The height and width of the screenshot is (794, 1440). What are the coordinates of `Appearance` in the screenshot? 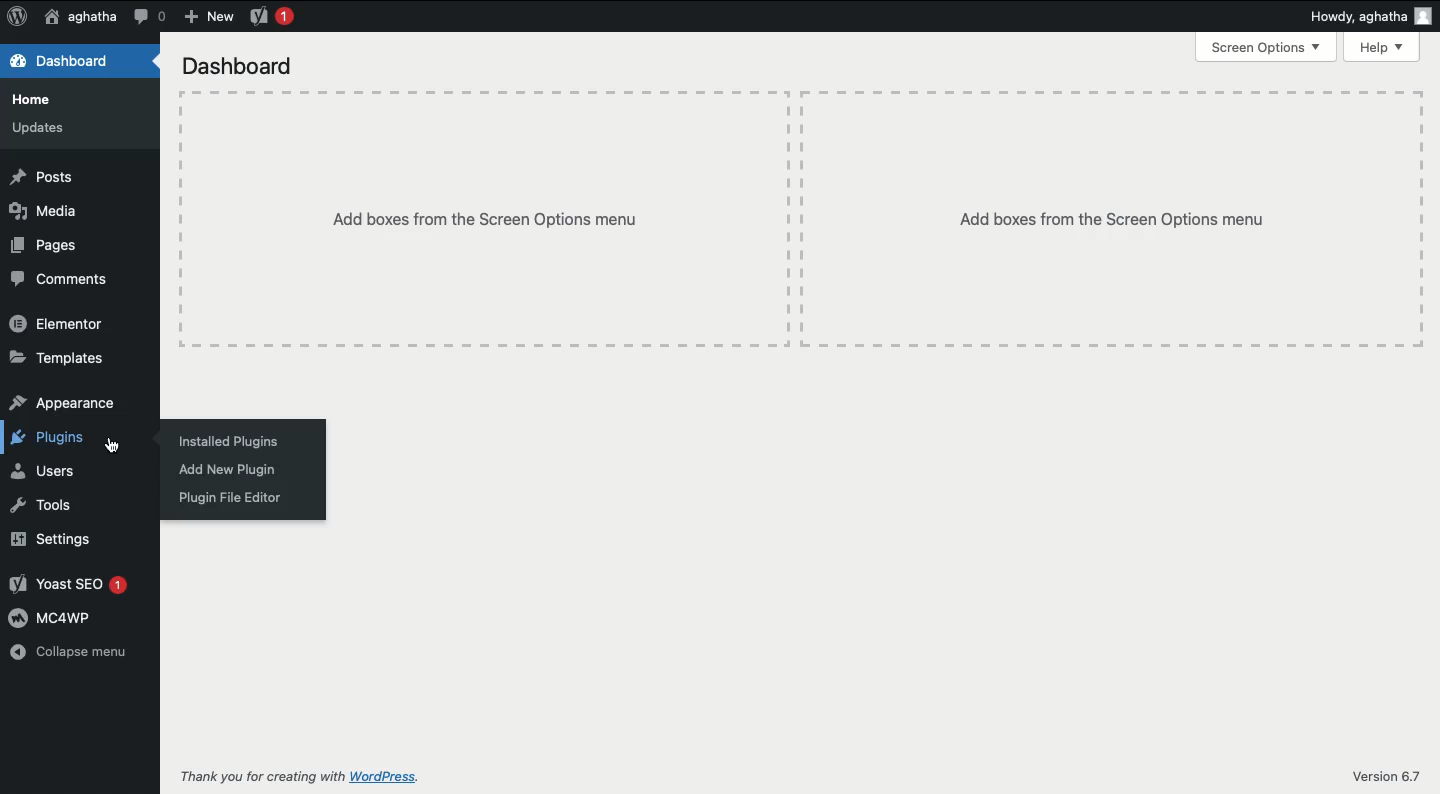 It's located at (62, 403).